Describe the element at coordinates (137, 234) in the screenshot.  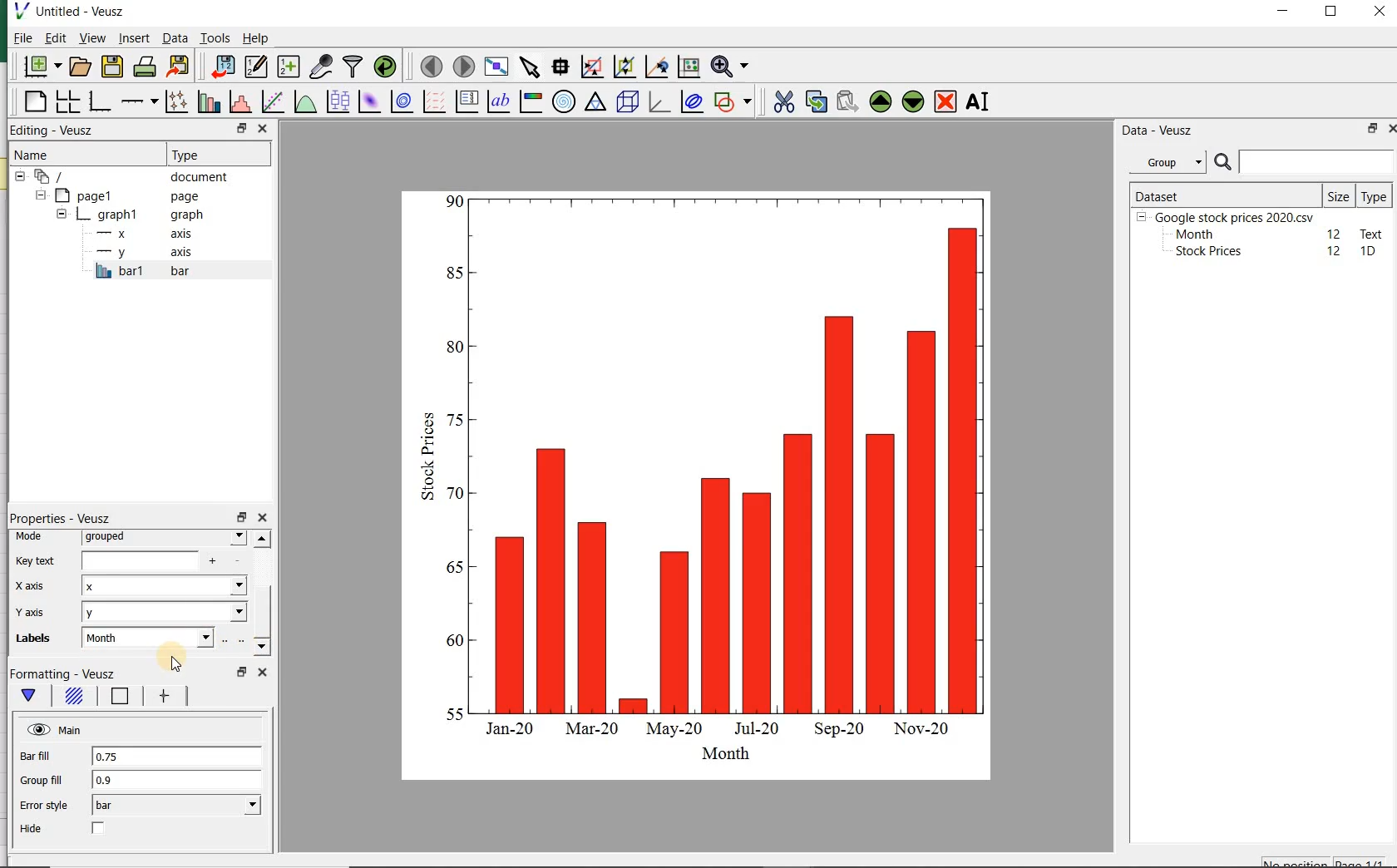
I see `x axis` at that location.